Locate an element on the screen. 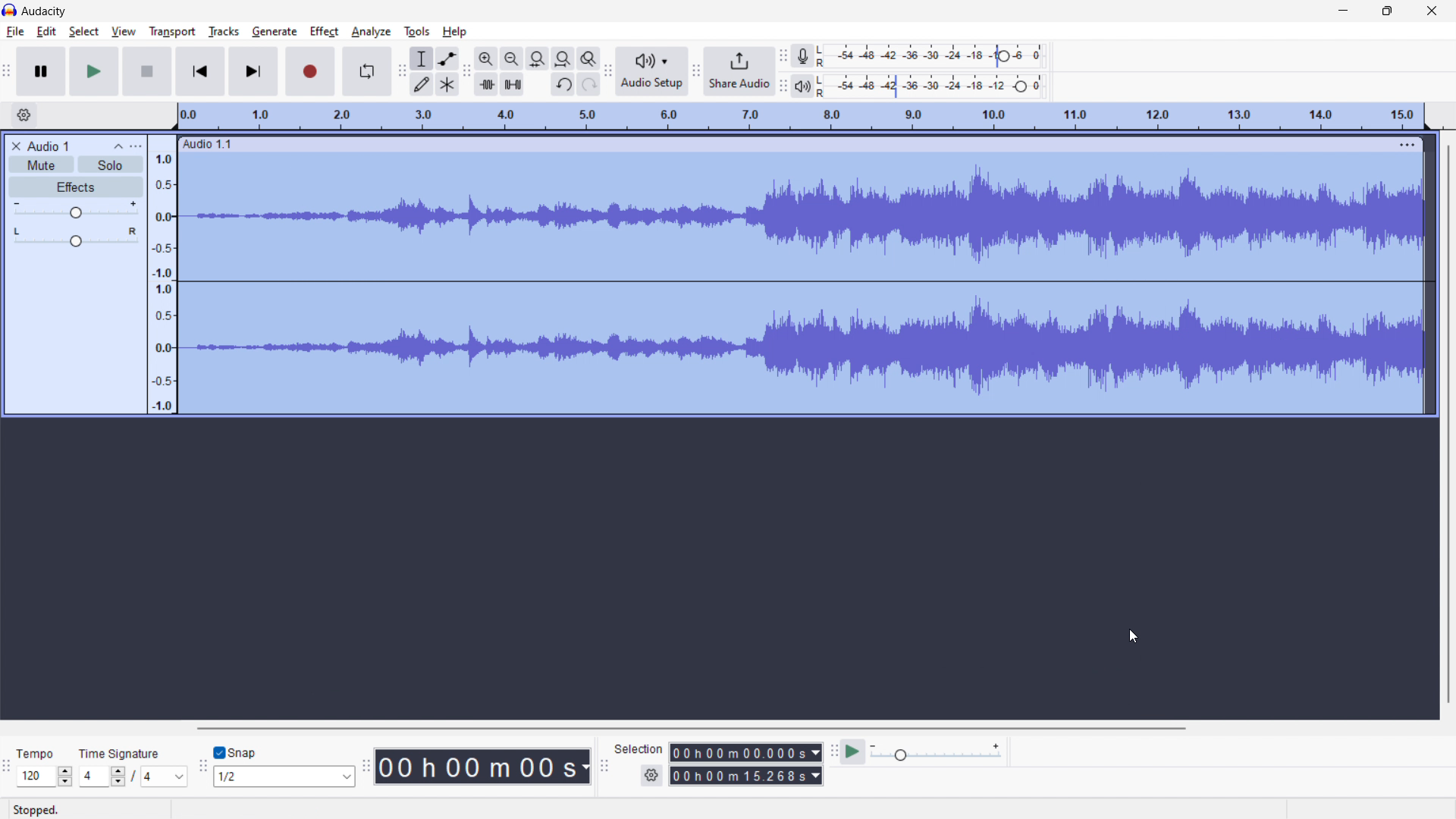 This screenshot has width=1456, height=819. playback meter toolbar is located at coordinates (783, 85).